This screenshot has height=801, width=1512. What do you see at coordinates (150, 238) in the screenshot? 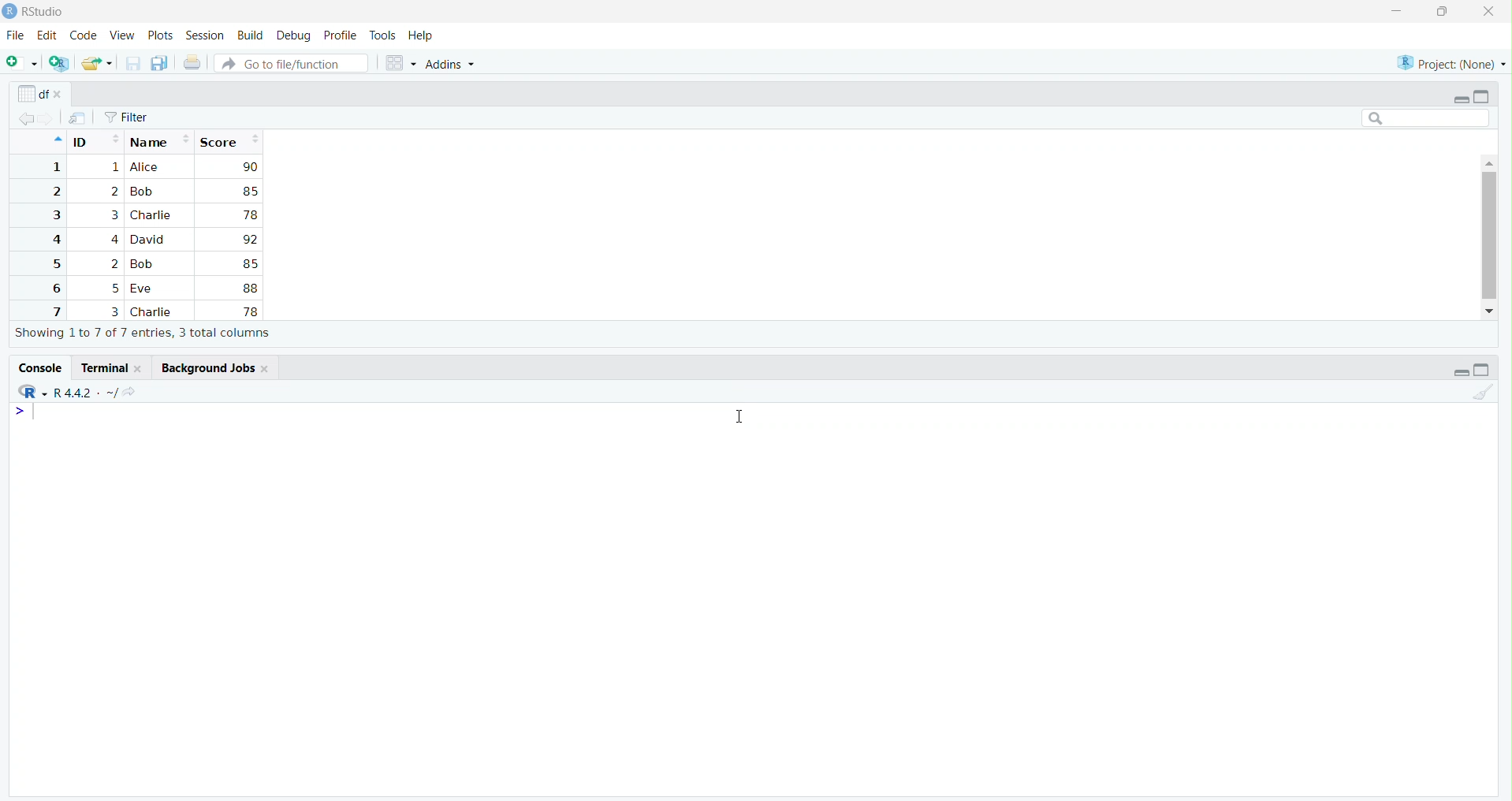
I see `David` at bounding box center [150, 238].